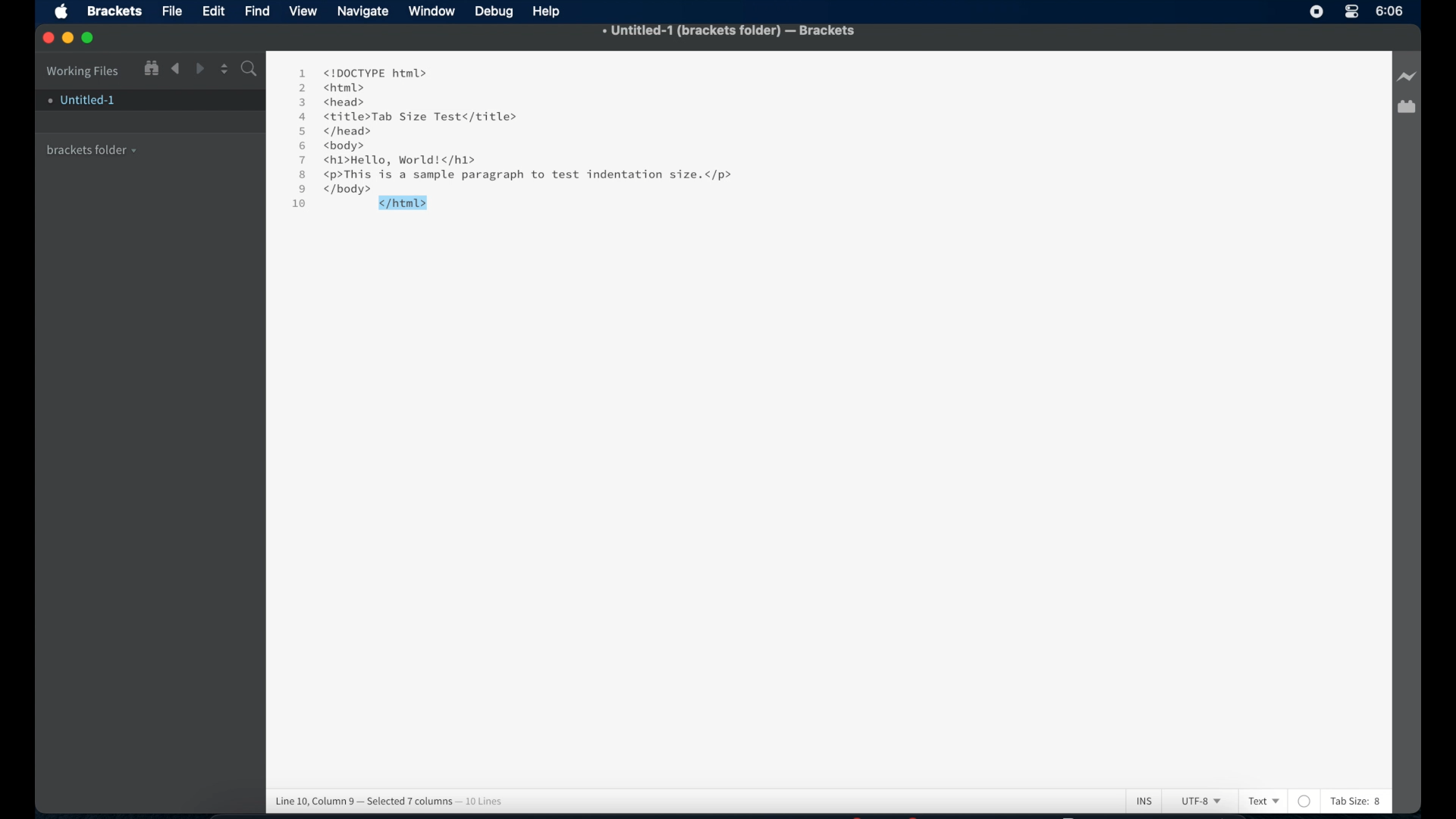  Describe the element at coordinates (80, 100) in the screenshot. I see `. Untitled-1` at that location.